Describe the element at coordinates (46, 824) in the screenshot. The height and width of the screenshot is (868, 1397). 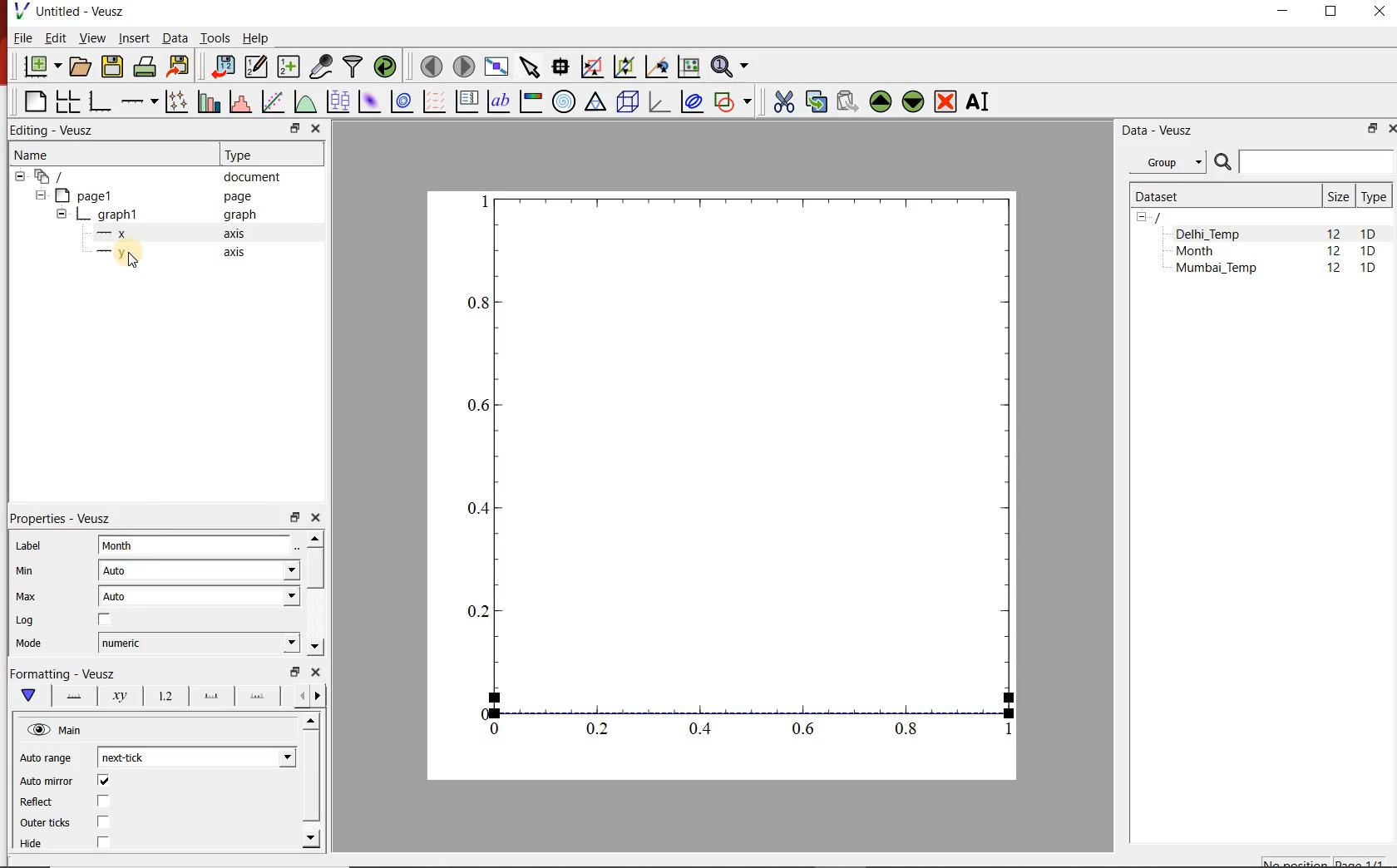
I see `outer ticks` at that location.